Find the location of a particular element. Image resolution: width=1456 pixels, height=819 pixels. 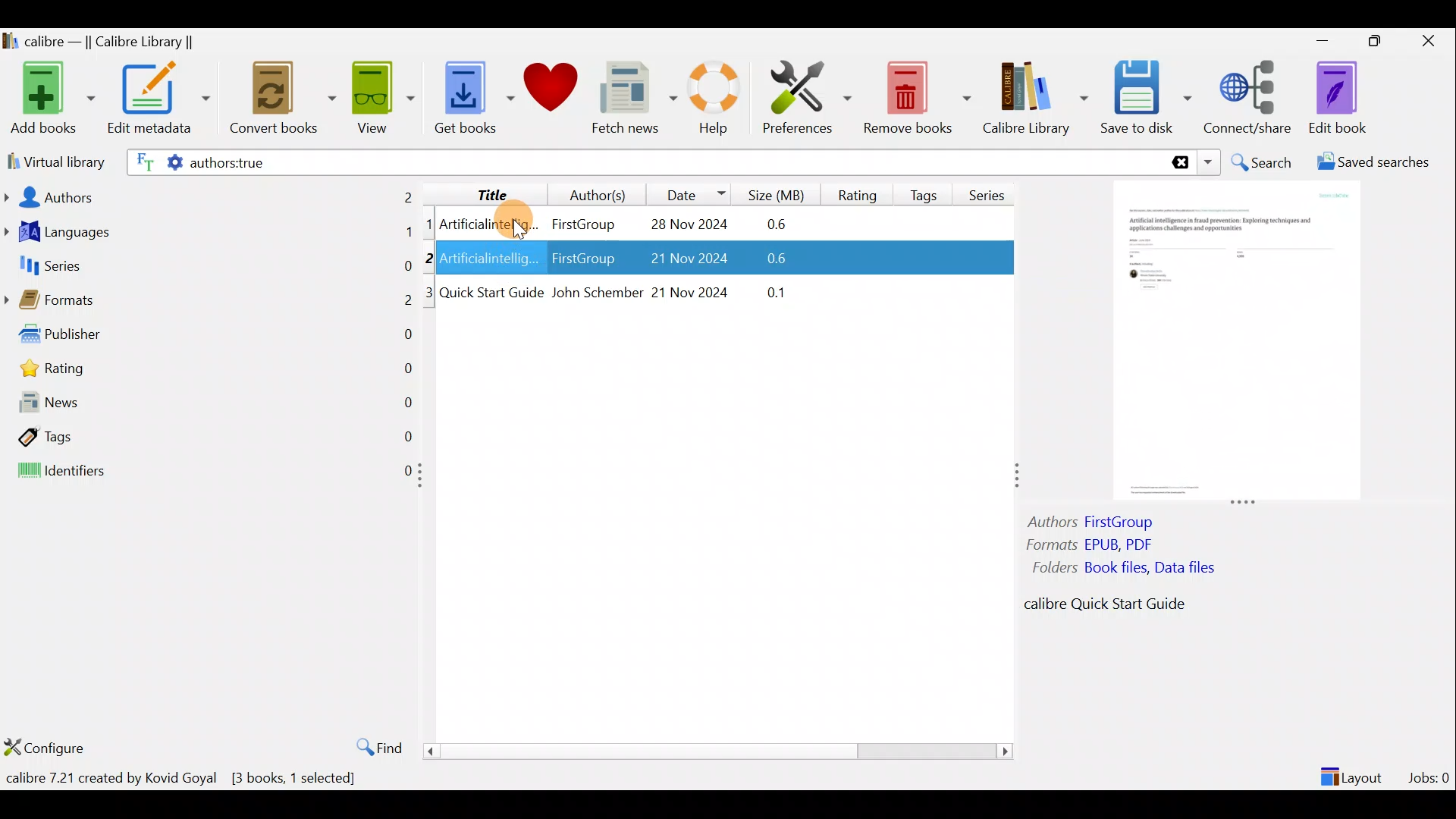

Get books is located at coordinates (472, 96).